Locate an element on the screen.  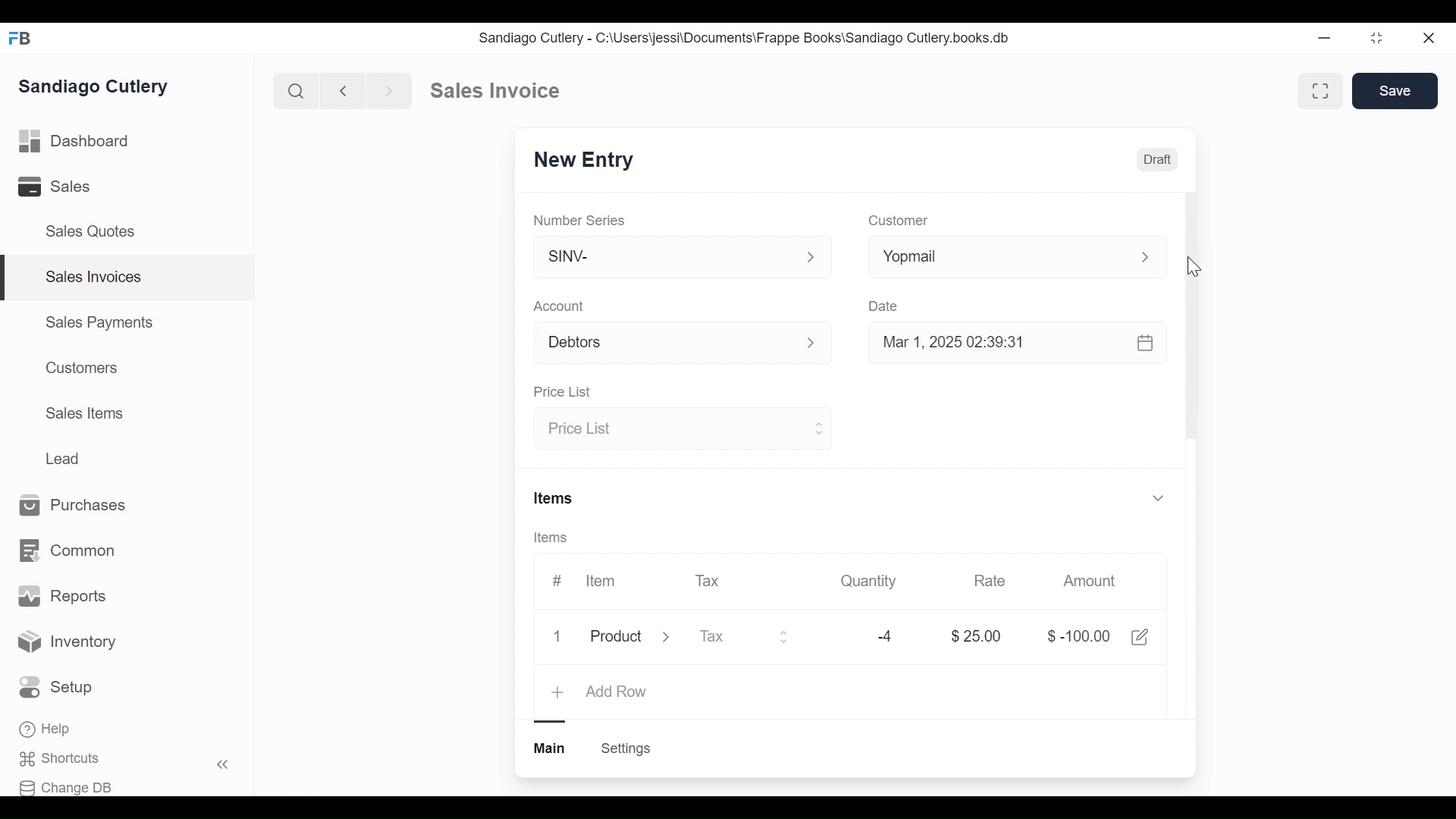
Sandiago Cutlery - C:\Users\jessi\Documents\Frappe Books\Sandiago Cutlery.books.db is located at coordinates (745, 39).